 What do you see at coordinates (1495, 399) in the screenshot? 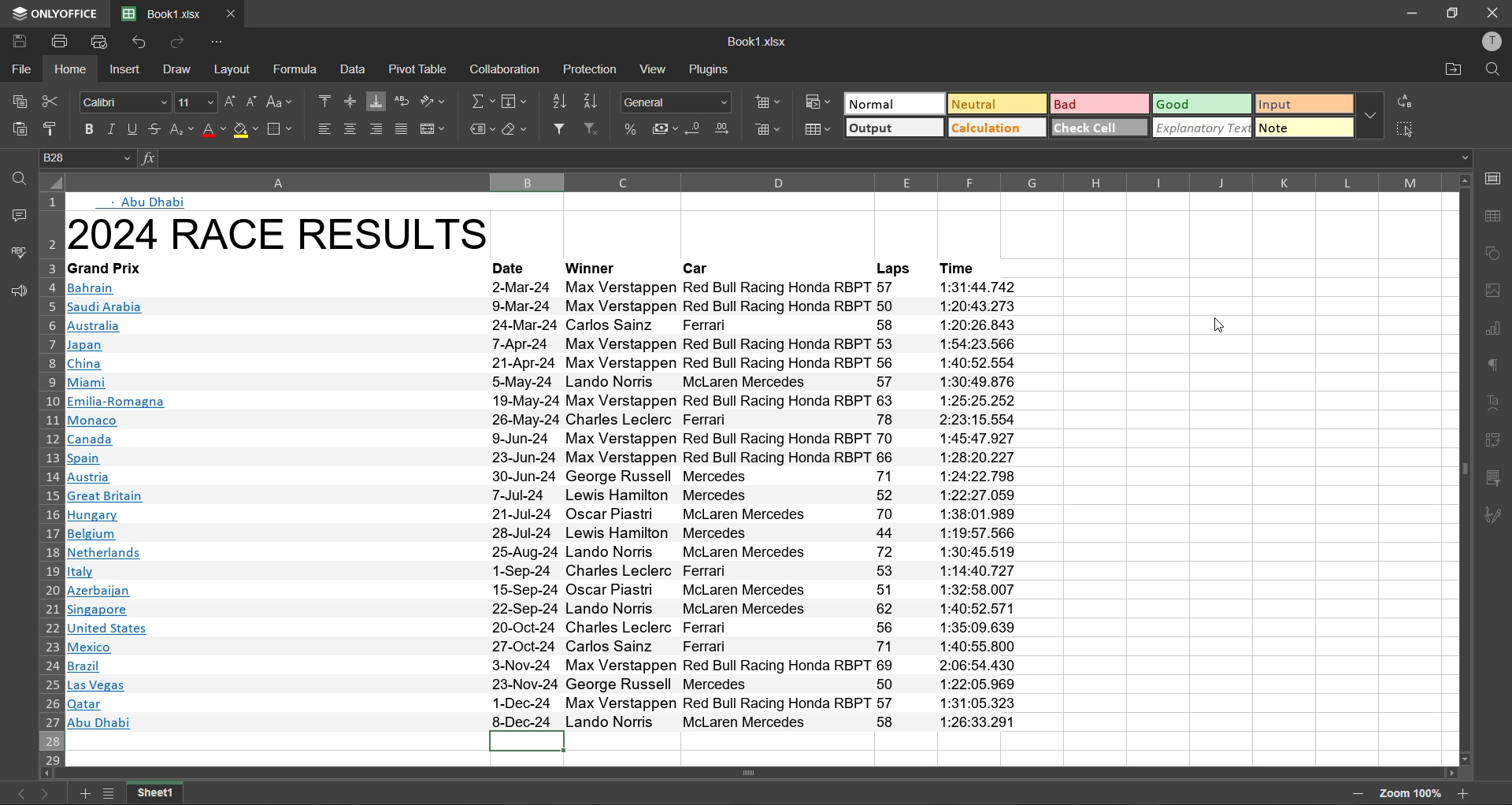
I see `text` at bounding box center [1495, 399].